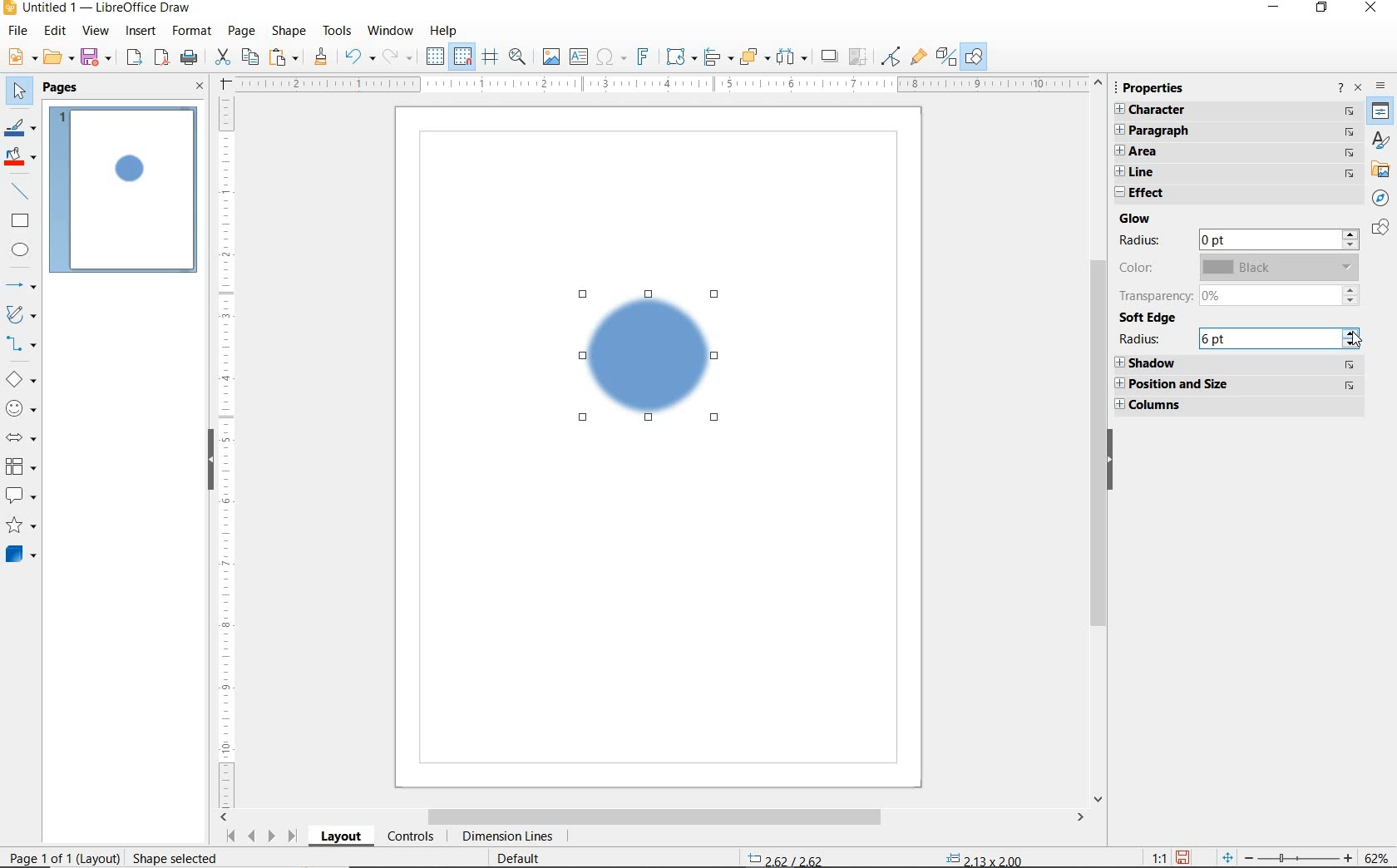 The height and width of the screenshot is (868, 1397). I want to click on EFFECT, so click(1233, 194).